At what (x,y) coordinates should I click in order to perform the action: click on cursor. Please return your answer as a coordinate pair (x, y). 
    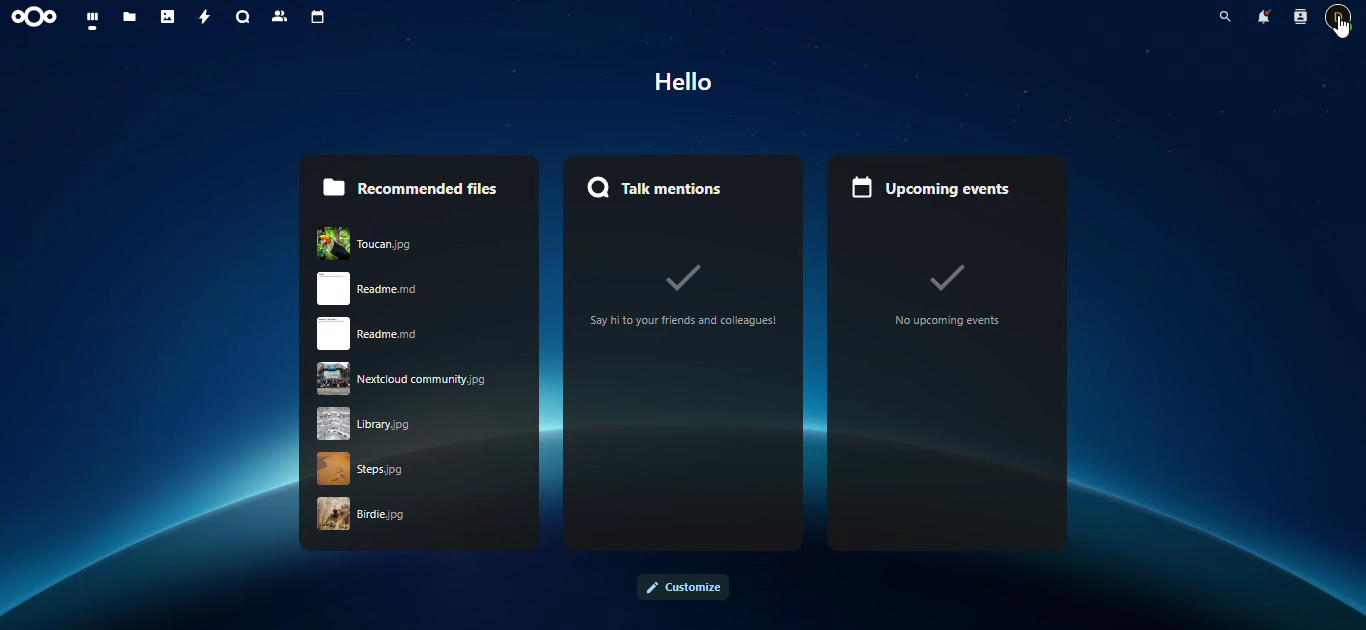
    Looking at the image, I should click on (1343, 31).